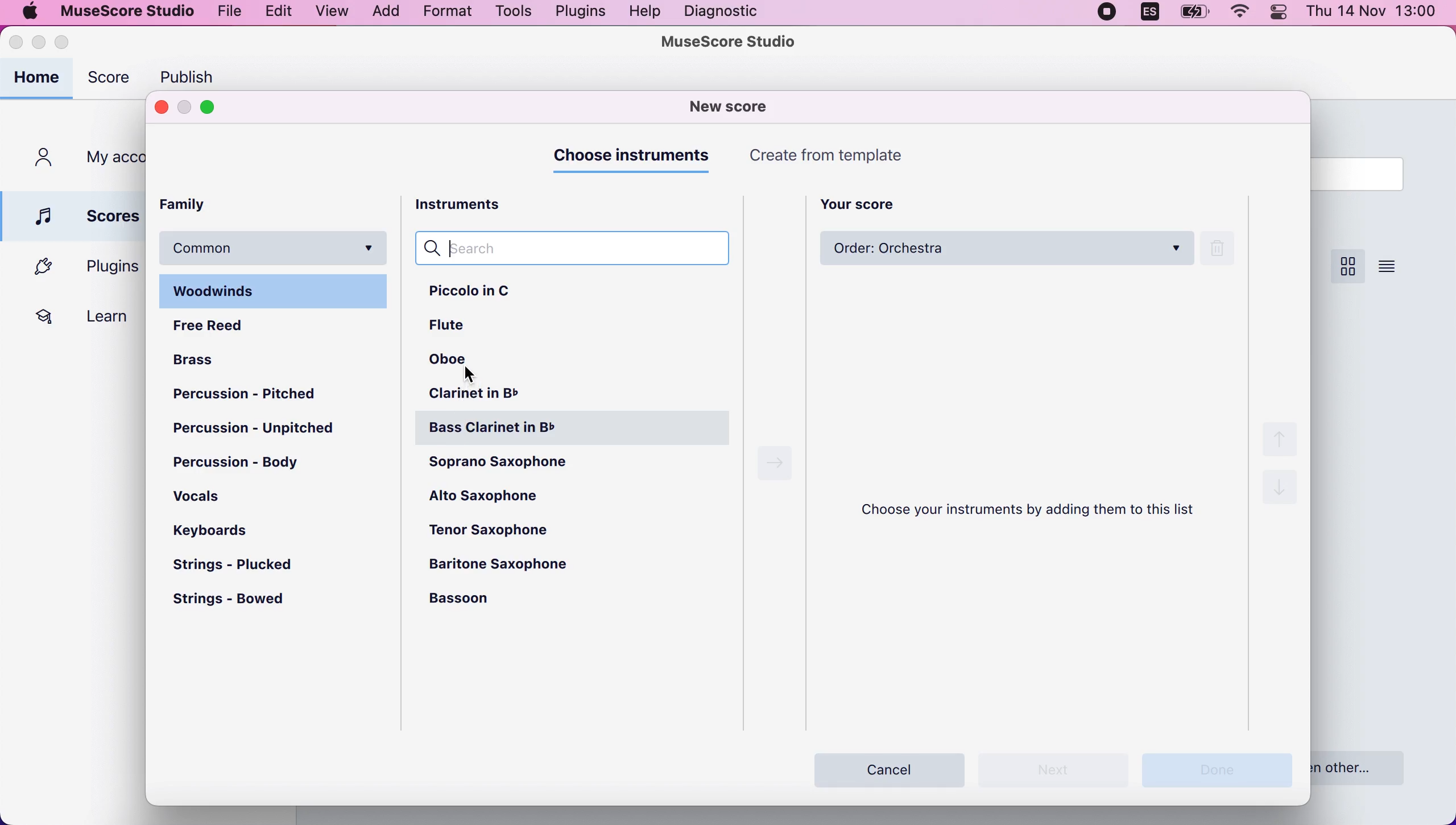 This screenshot has width=1456, height=825. What do you see at coordinates (1223, 250) in the screenshot?
I see `remove` at bounding box center [1223, 250].